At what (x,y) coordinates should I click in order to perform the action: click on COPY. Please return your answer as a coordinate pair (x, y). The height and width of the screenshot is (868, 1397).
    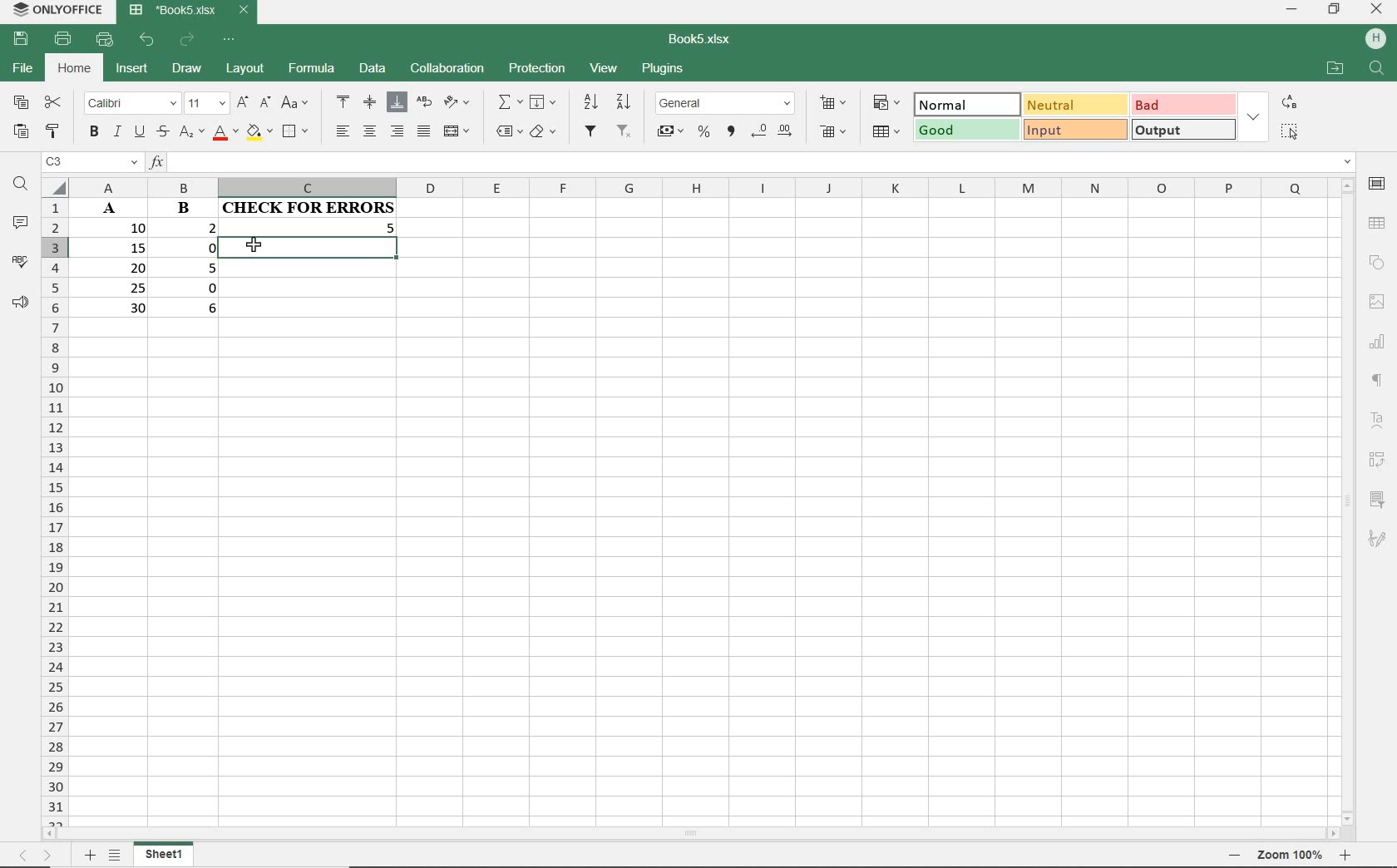
    Looking at the image, I should click on (20, 103).